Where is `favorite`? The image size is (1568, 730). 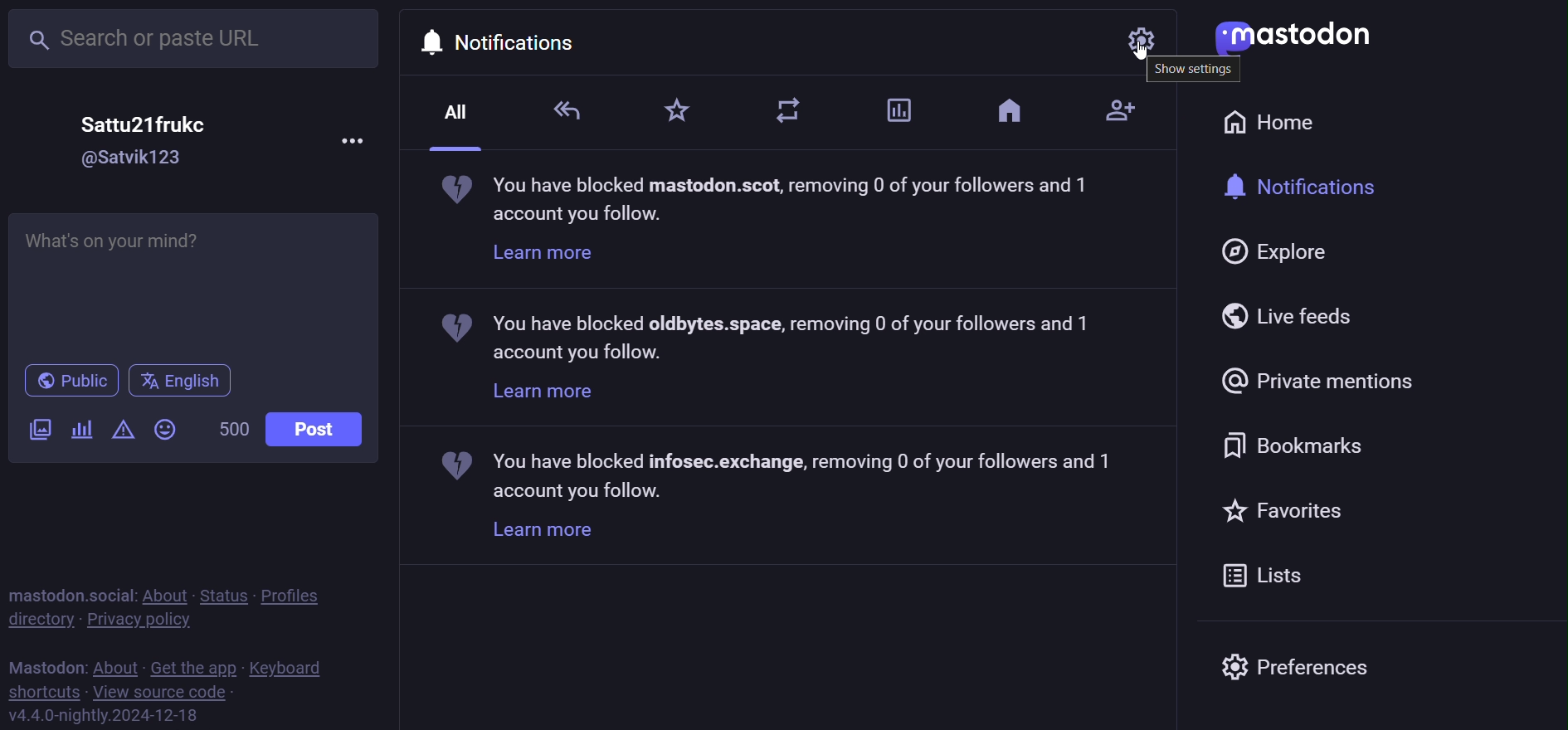
favorite is located at coordinates (675, 108).